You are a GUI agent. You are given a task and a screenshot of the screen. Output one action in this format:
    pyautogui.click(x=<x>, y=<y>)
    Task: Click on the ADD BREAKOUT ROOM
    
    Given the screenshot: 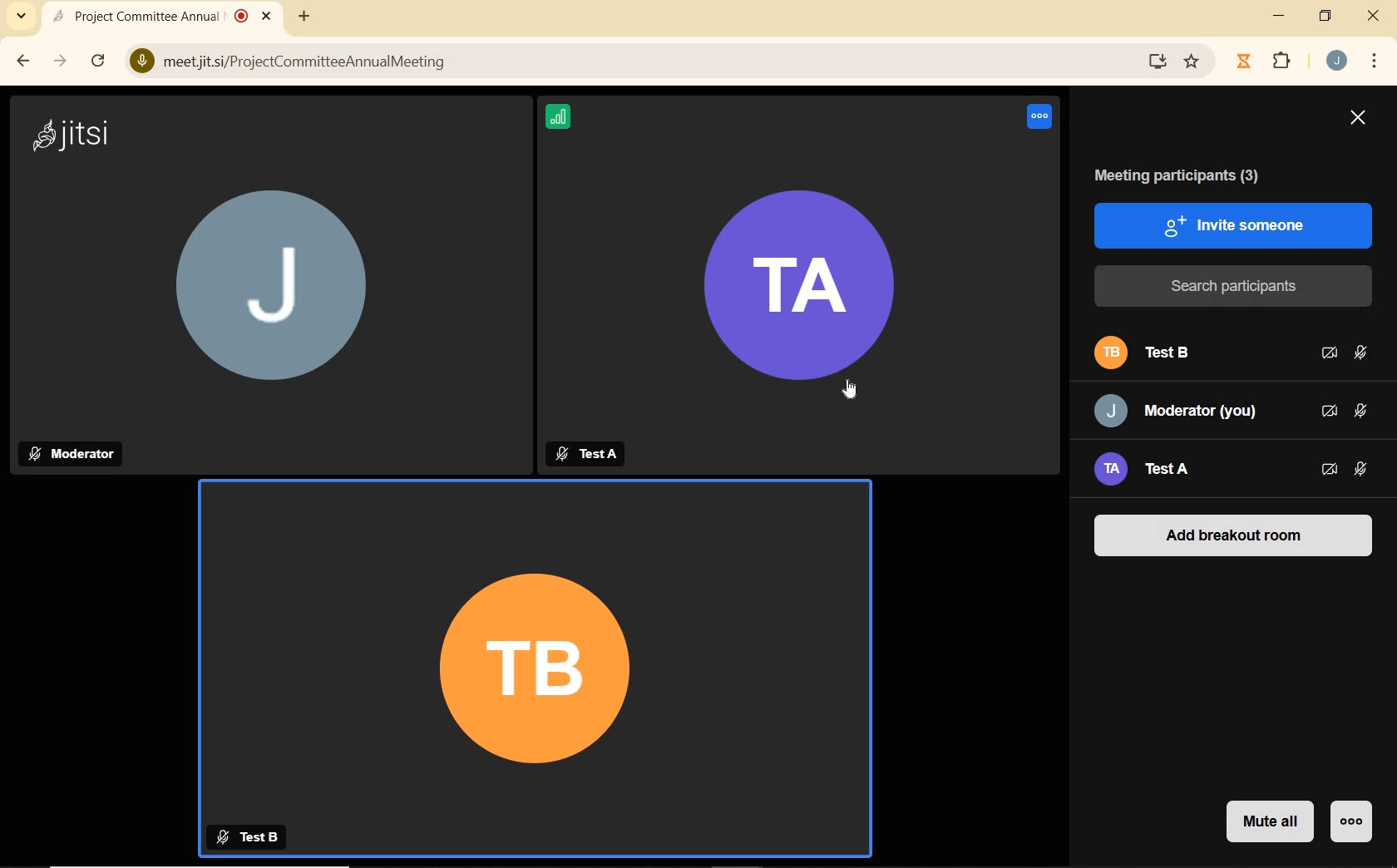 What is the action you would take?
    pyautogui.click(x=1232, y=539)
    